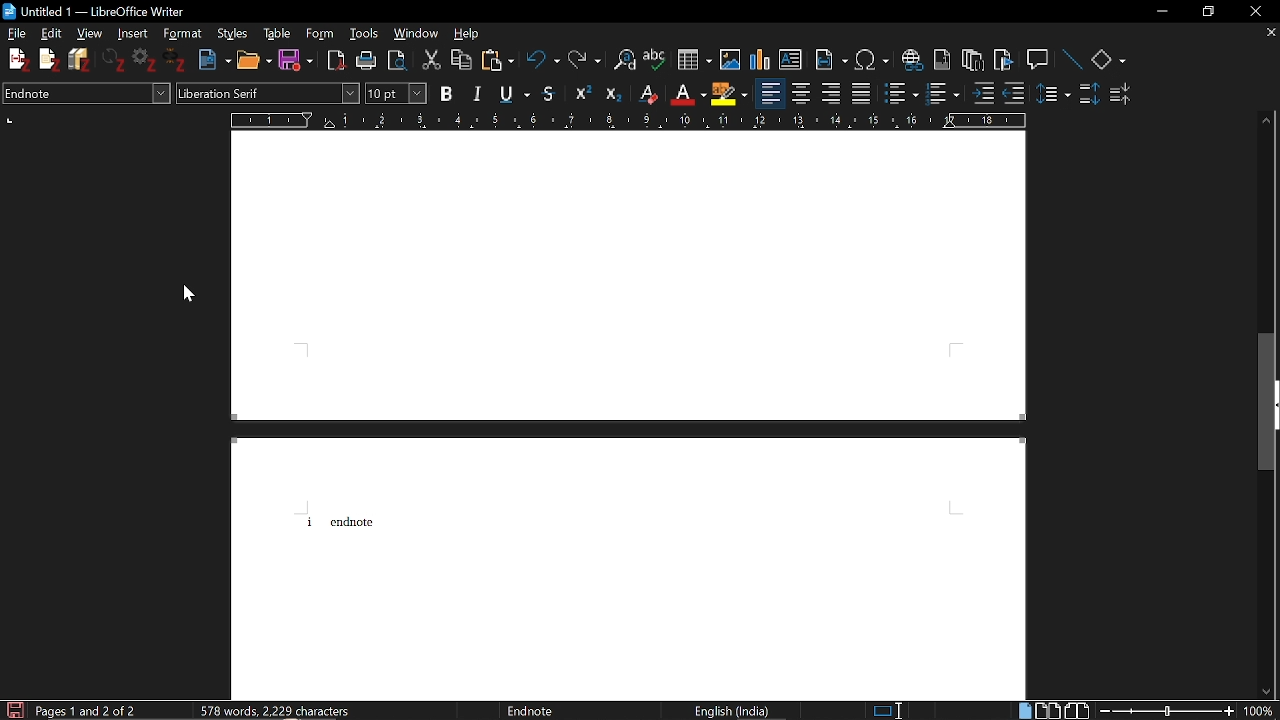 This screenshot has width=1280, height=720. Describe the element at coordinates (1261, 711) in the screenshot. I see `Current Zoom` at that location.